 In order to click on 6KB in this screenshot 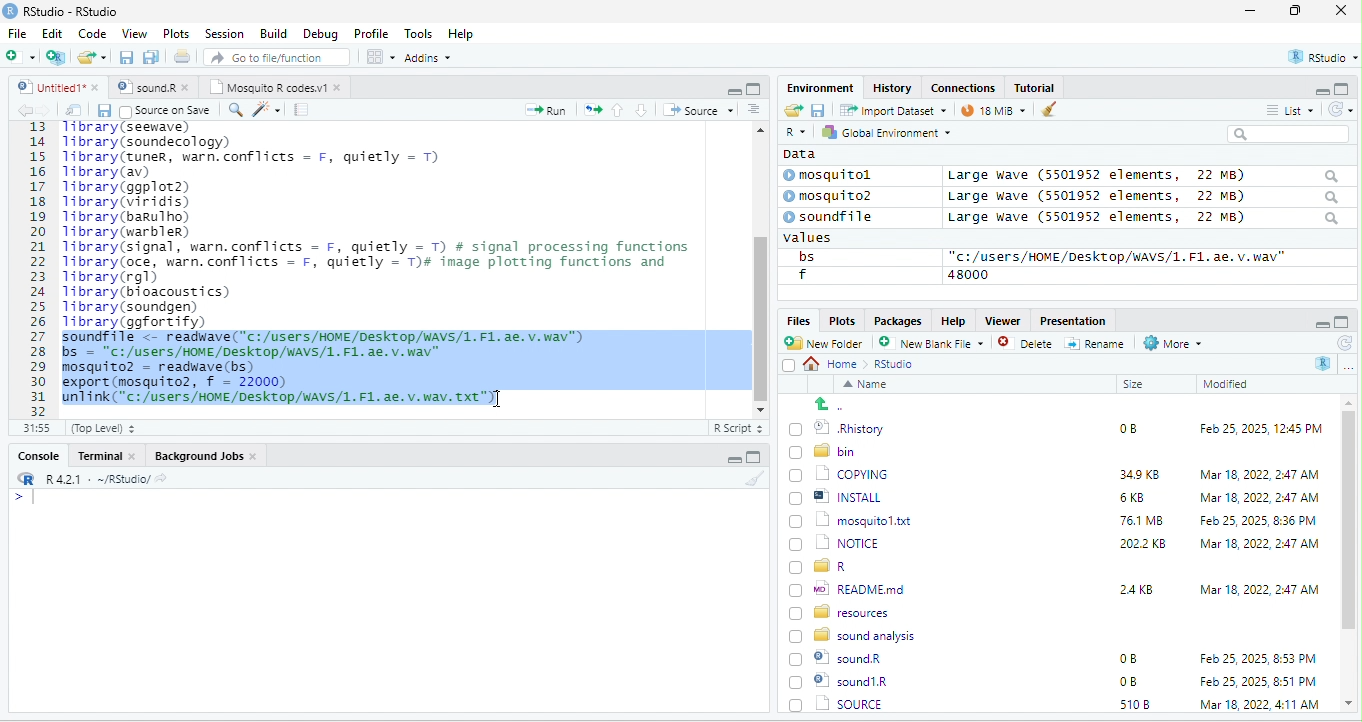, I will do `click(1133, 498)`.